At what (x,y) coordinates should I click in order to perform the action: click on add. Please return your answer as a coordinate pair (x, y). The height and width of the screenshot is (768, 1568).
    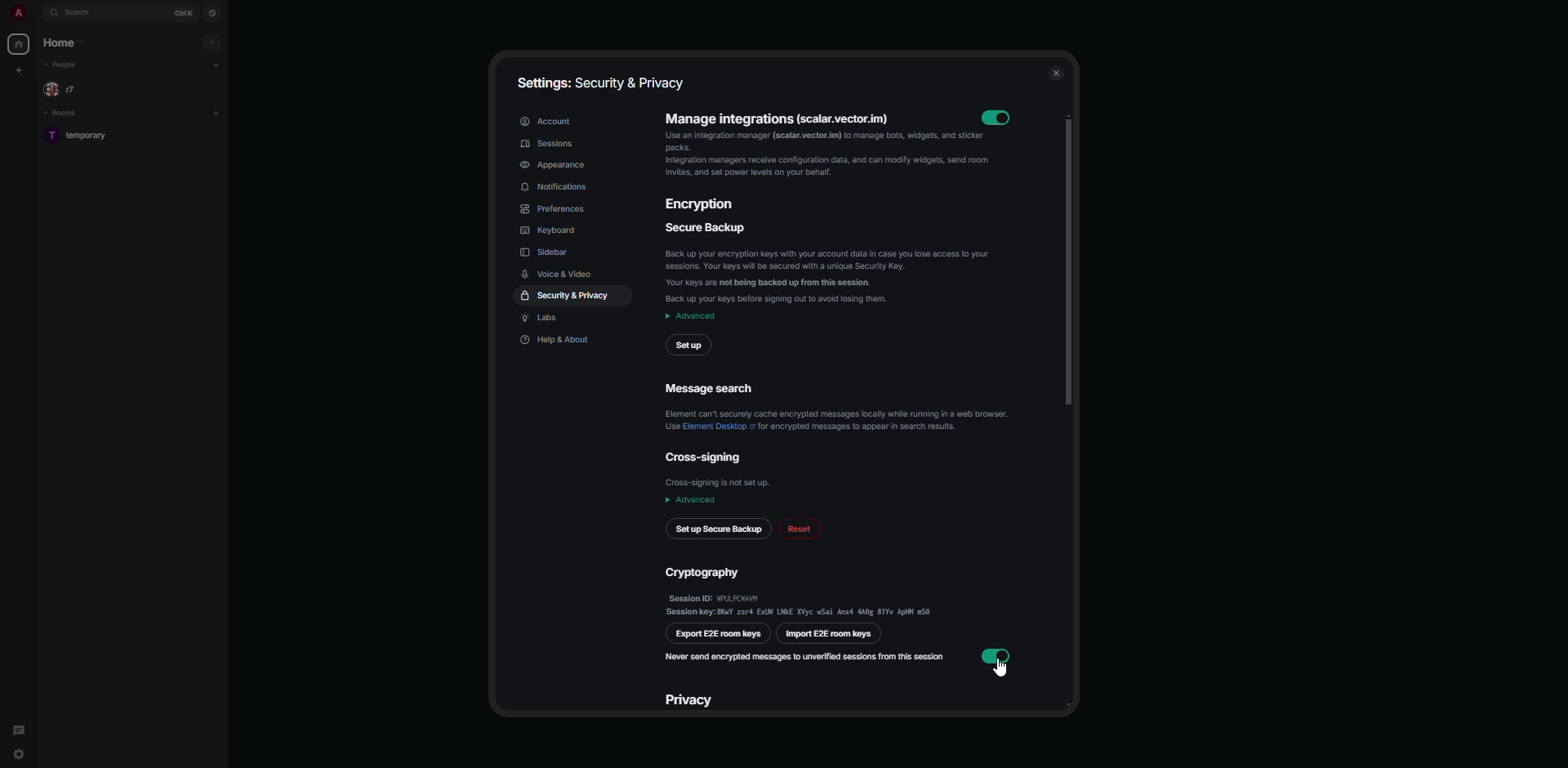
    Looking at the image, I should click on (212, 41).